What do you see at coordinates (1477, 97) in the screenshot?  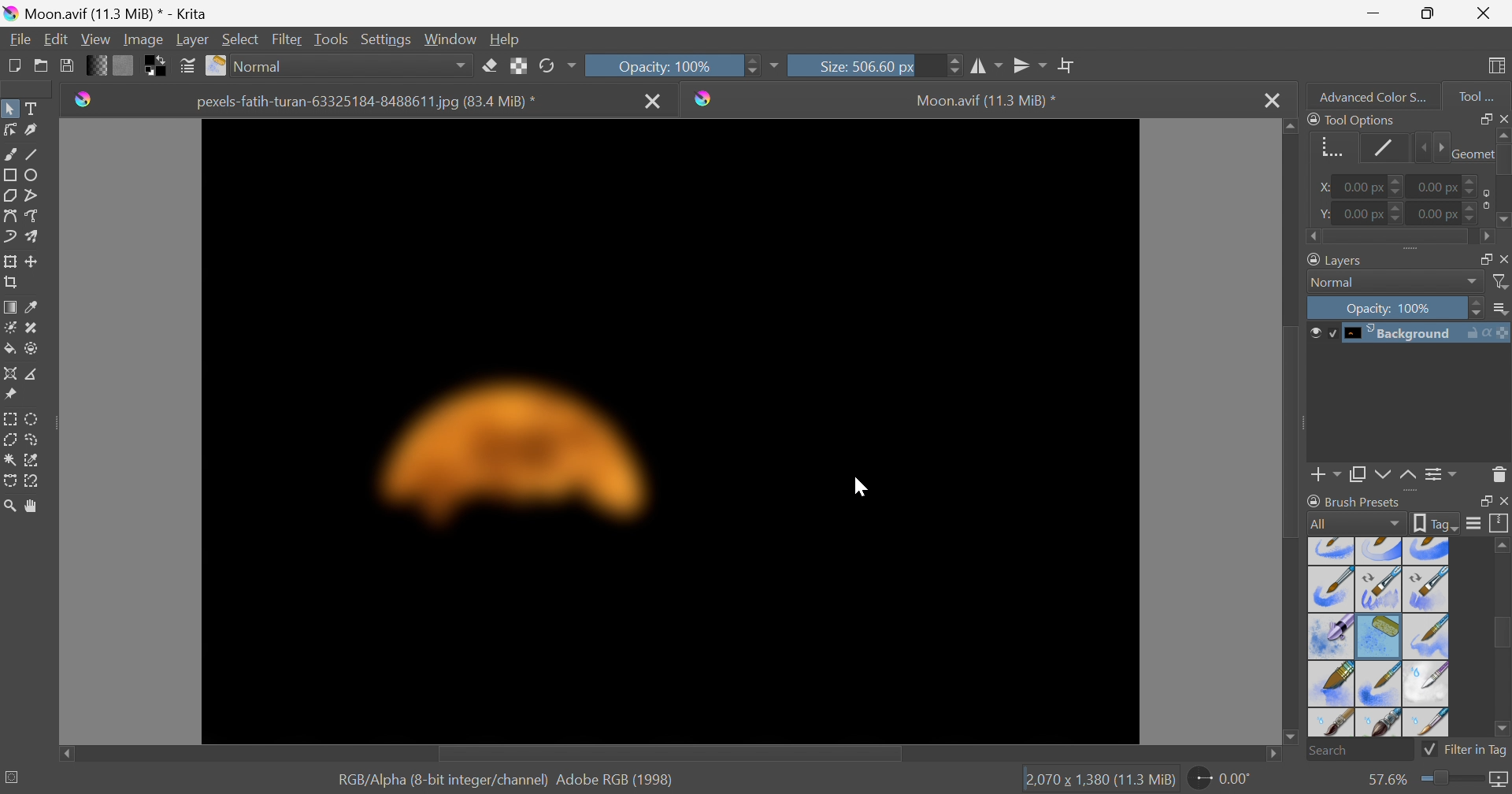 I see `Tool` at bounding box center [1477, 97].